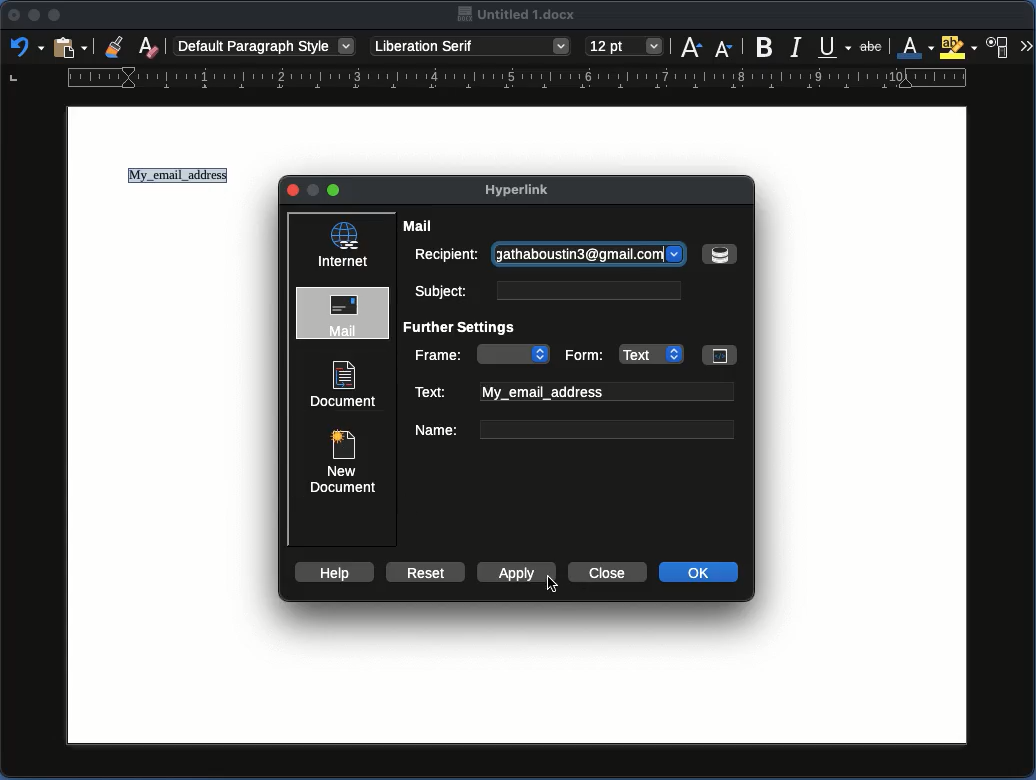 The image size is (1036, 780). I want to click on Untitled. 1 docx, so click(518, 15).